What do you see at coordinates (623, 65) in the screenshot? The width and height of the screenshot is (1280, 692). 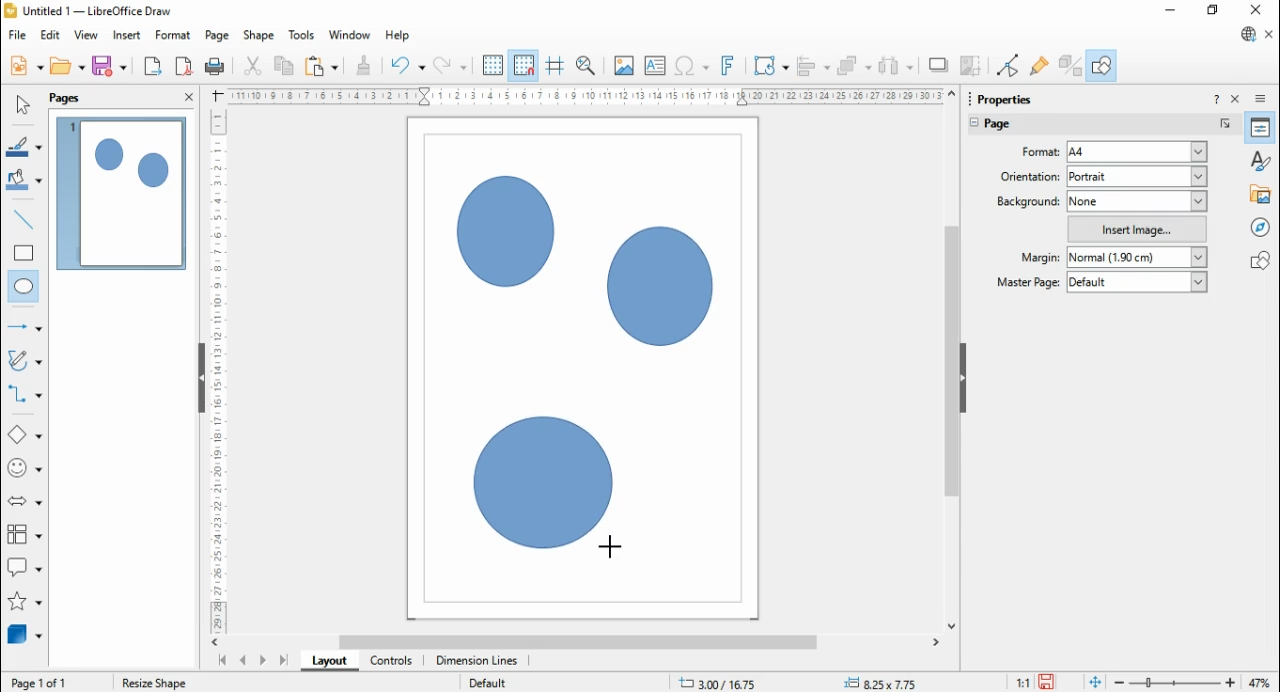 I see `insert image` at bounding box center [623, 65].